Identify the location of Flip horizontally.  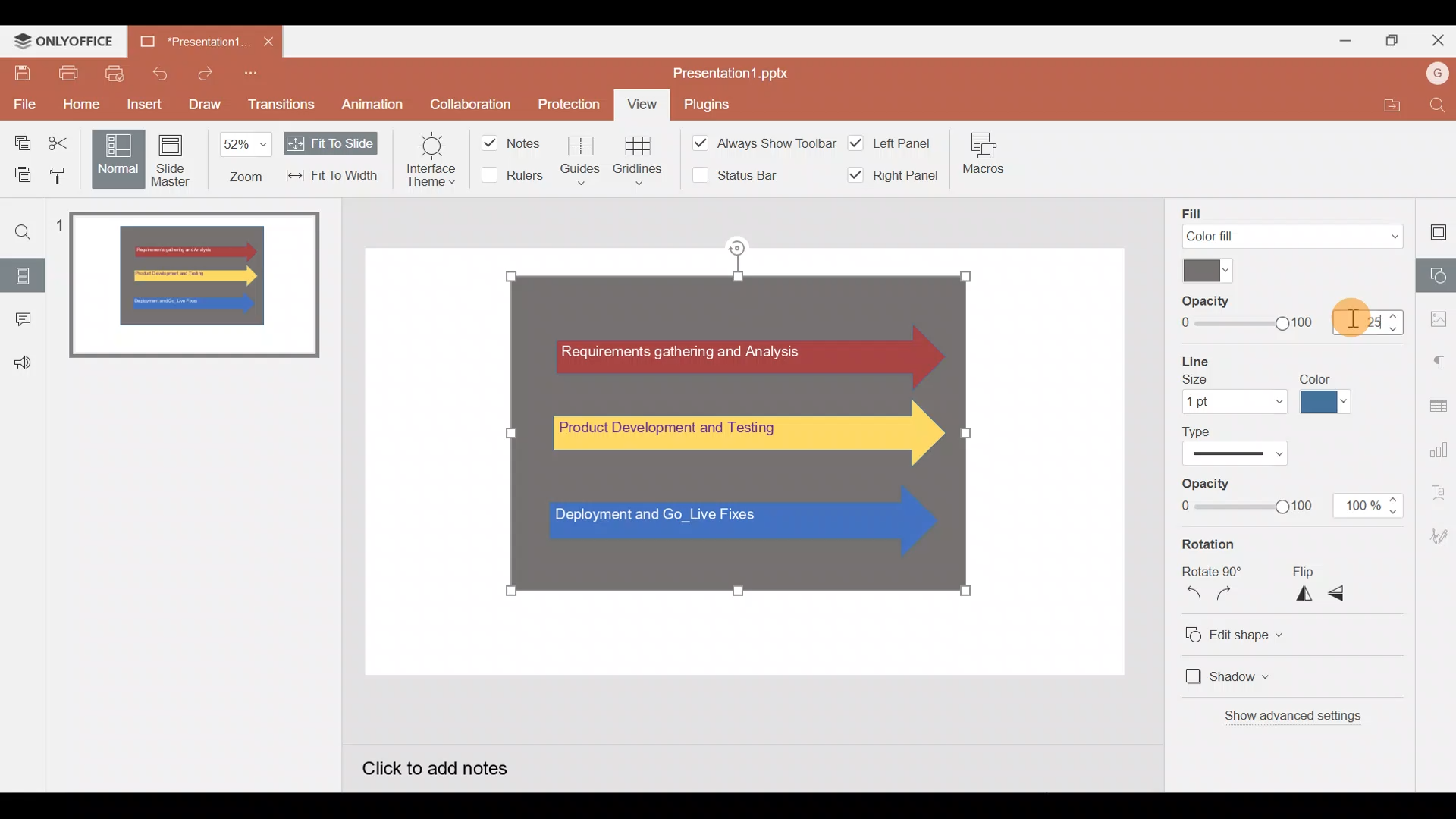
(1298, 594).